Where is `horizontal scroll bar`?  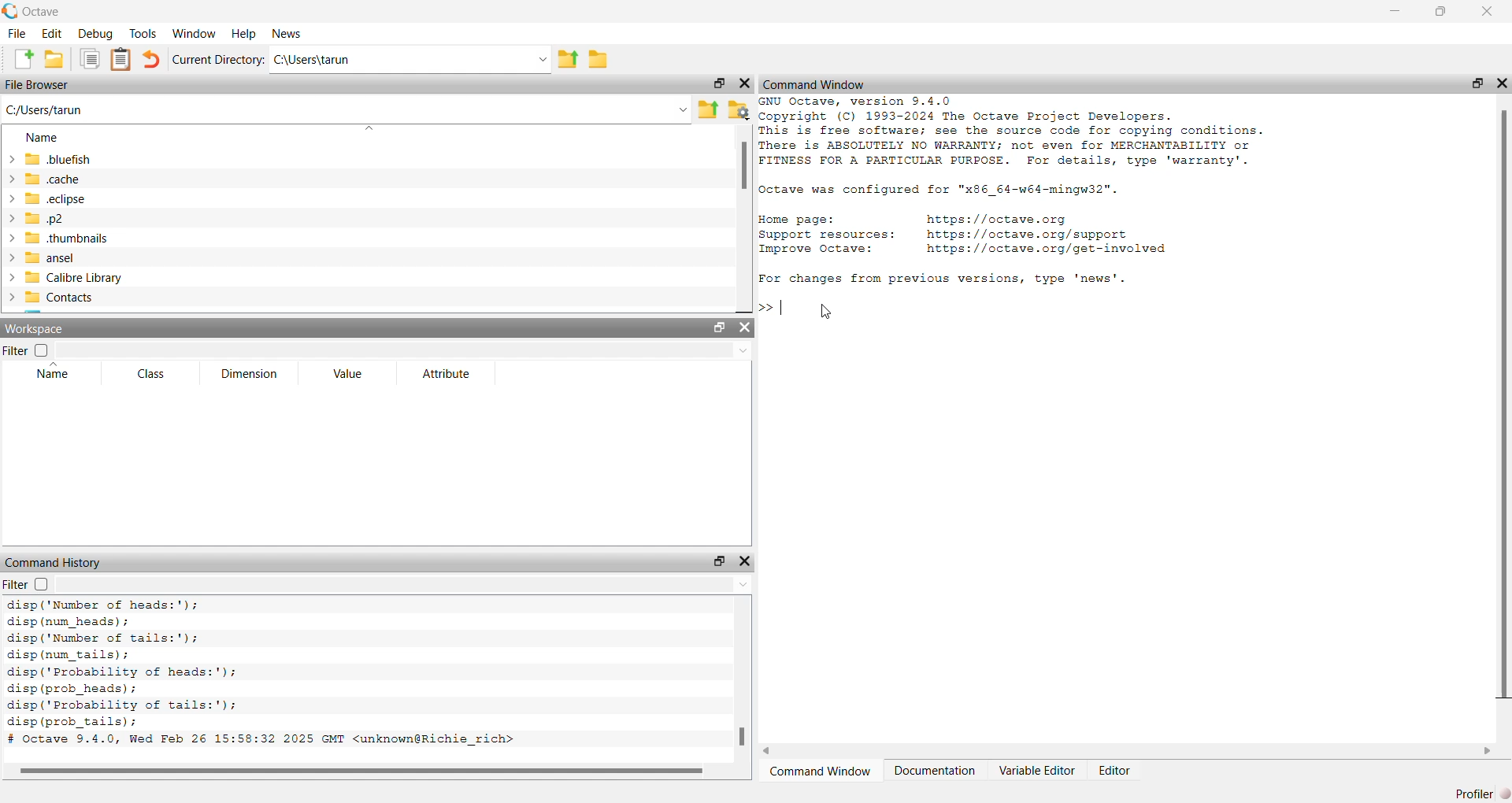
horizontal scroll bar is located at coordinates (1128, 751).